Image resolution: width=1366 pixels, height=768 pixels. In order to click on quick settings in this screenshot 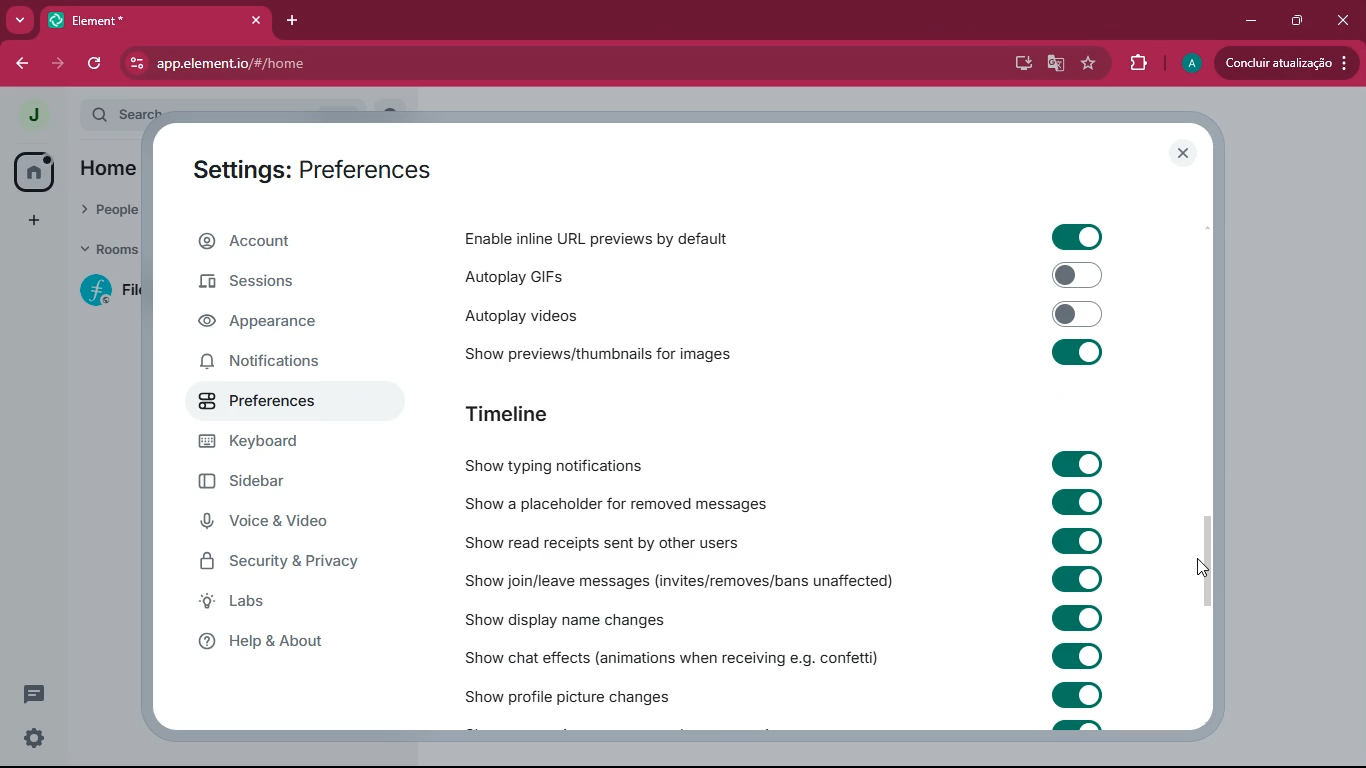, I will do `click(34, 737)`.